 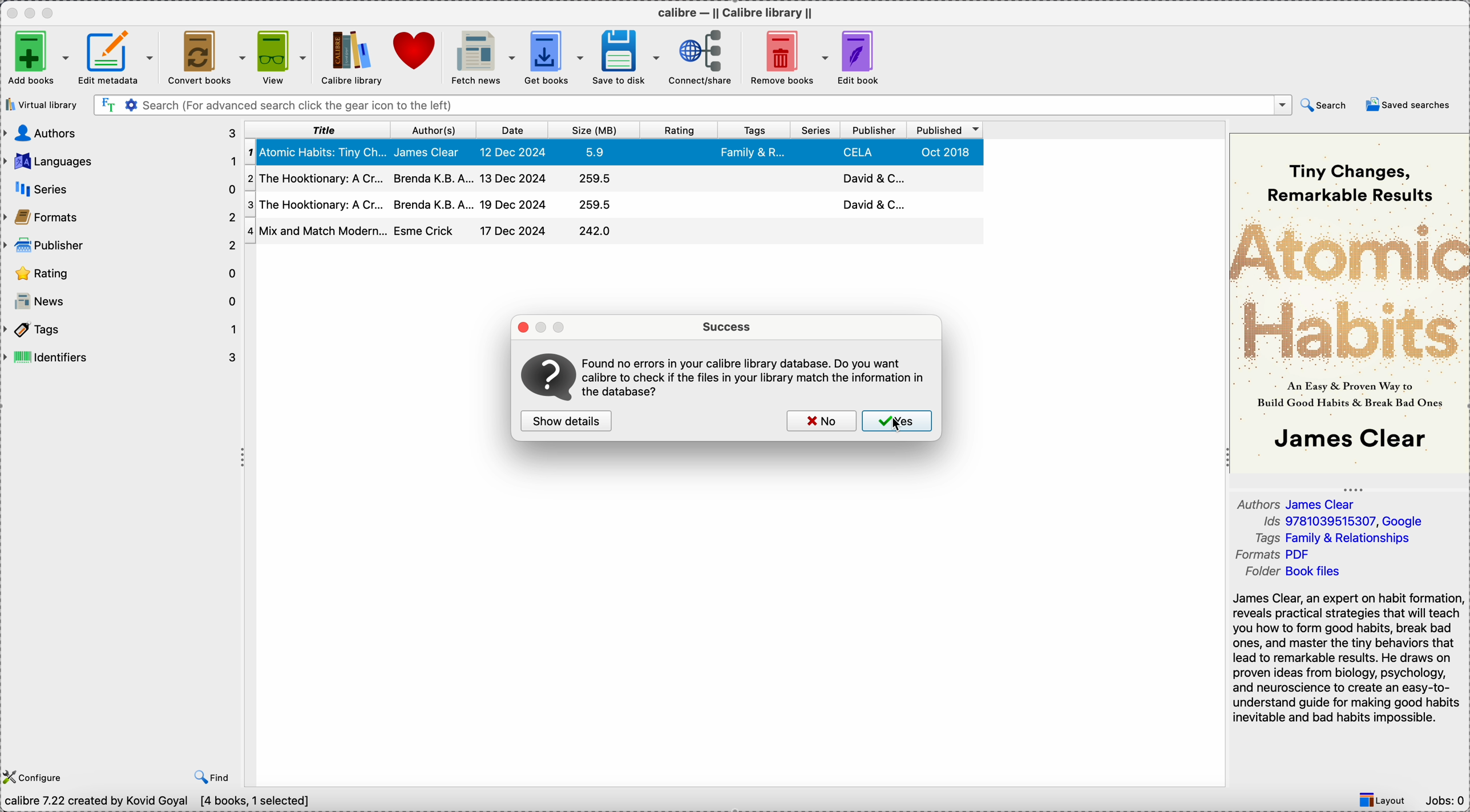 What do you see at coordinates (814, 131) in the screenshot?
I see `series` at bounding box center [814, 131].